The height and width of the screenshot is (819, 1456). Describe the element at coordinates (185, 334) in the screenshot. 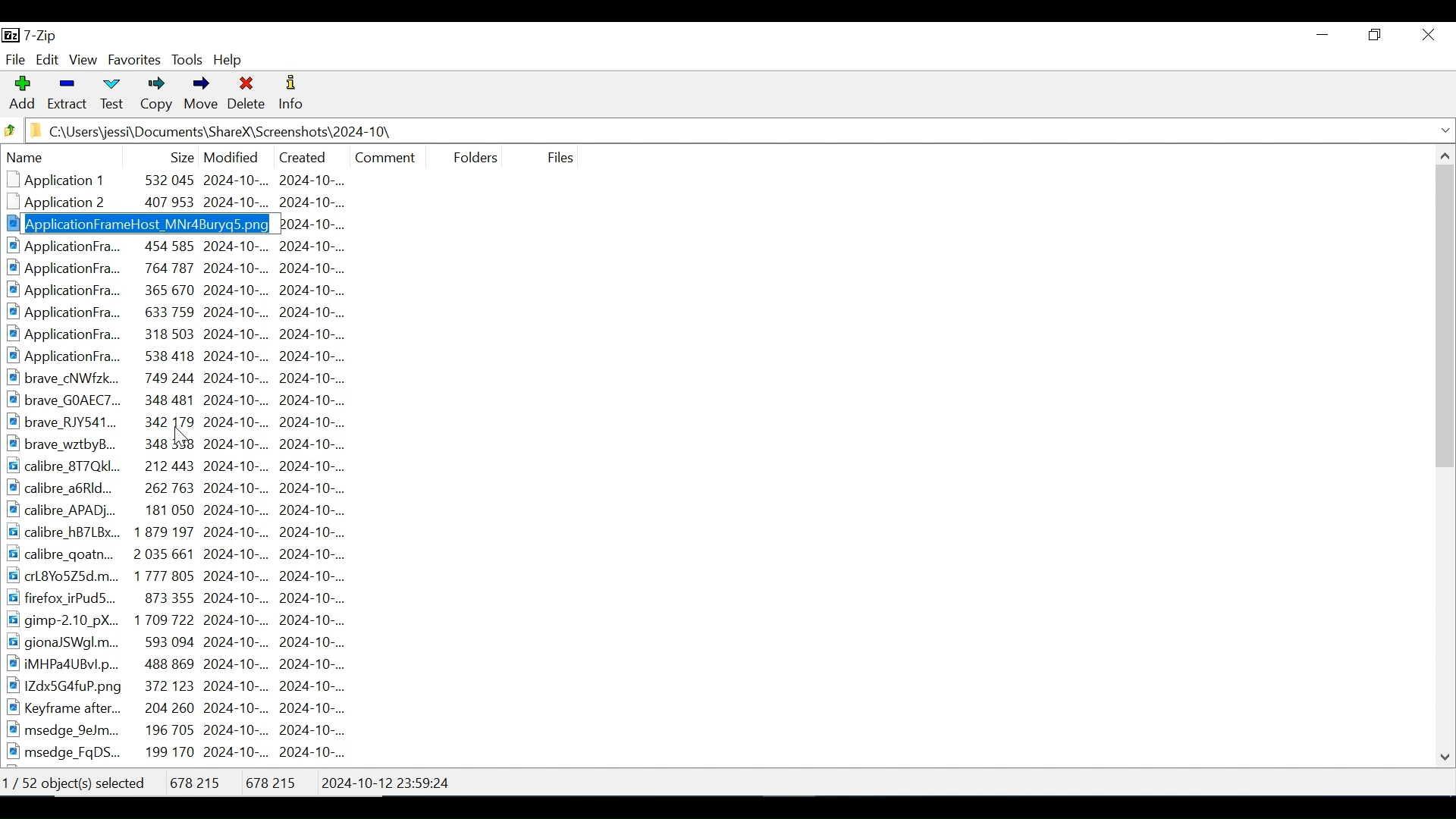

I see `ApplicationFra... 318 503 2024-10-.. 2024-10-...` at that location.